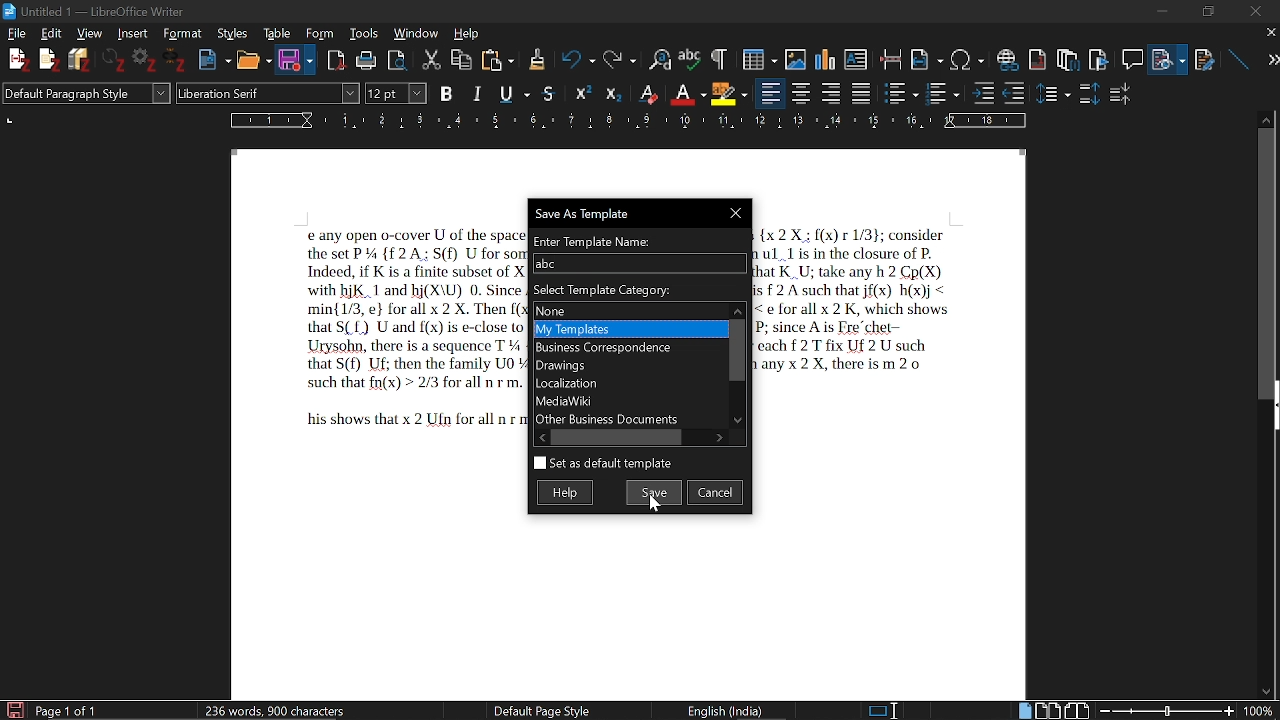 This screenshot has width=1280, height=720. Describe the element at coordinates (1171, 56) in the screenshot. I see `File` at that location.